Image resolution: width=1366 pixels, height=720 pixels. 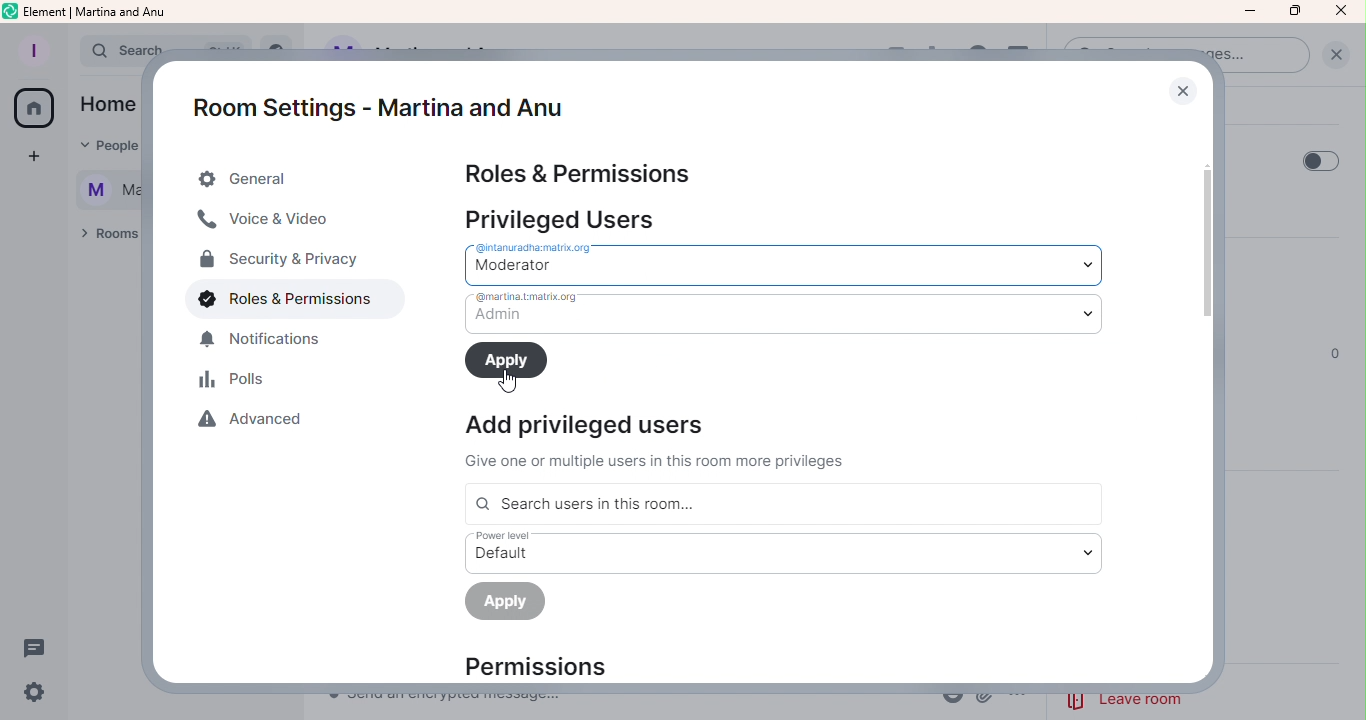 I want to click on Search, so click(x=108, y=51).